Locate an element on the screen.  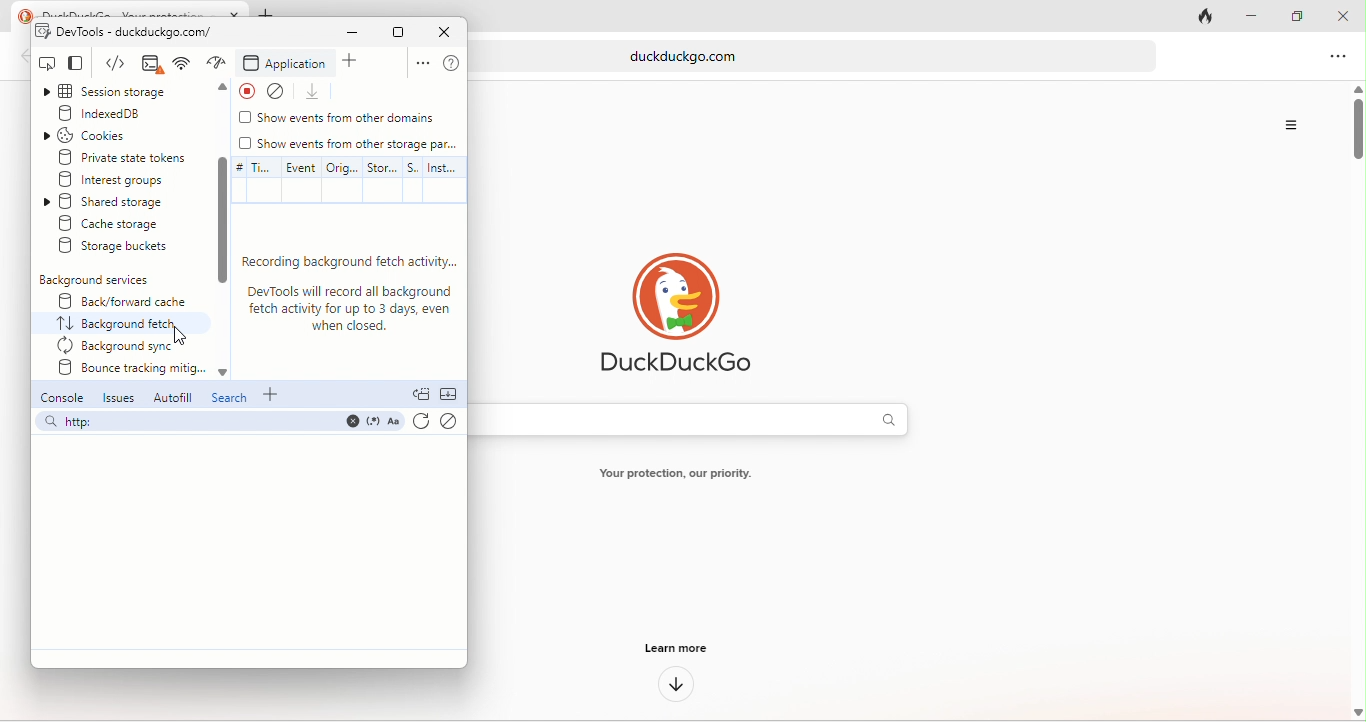
cursor movement is located at coordinates (183, 332).